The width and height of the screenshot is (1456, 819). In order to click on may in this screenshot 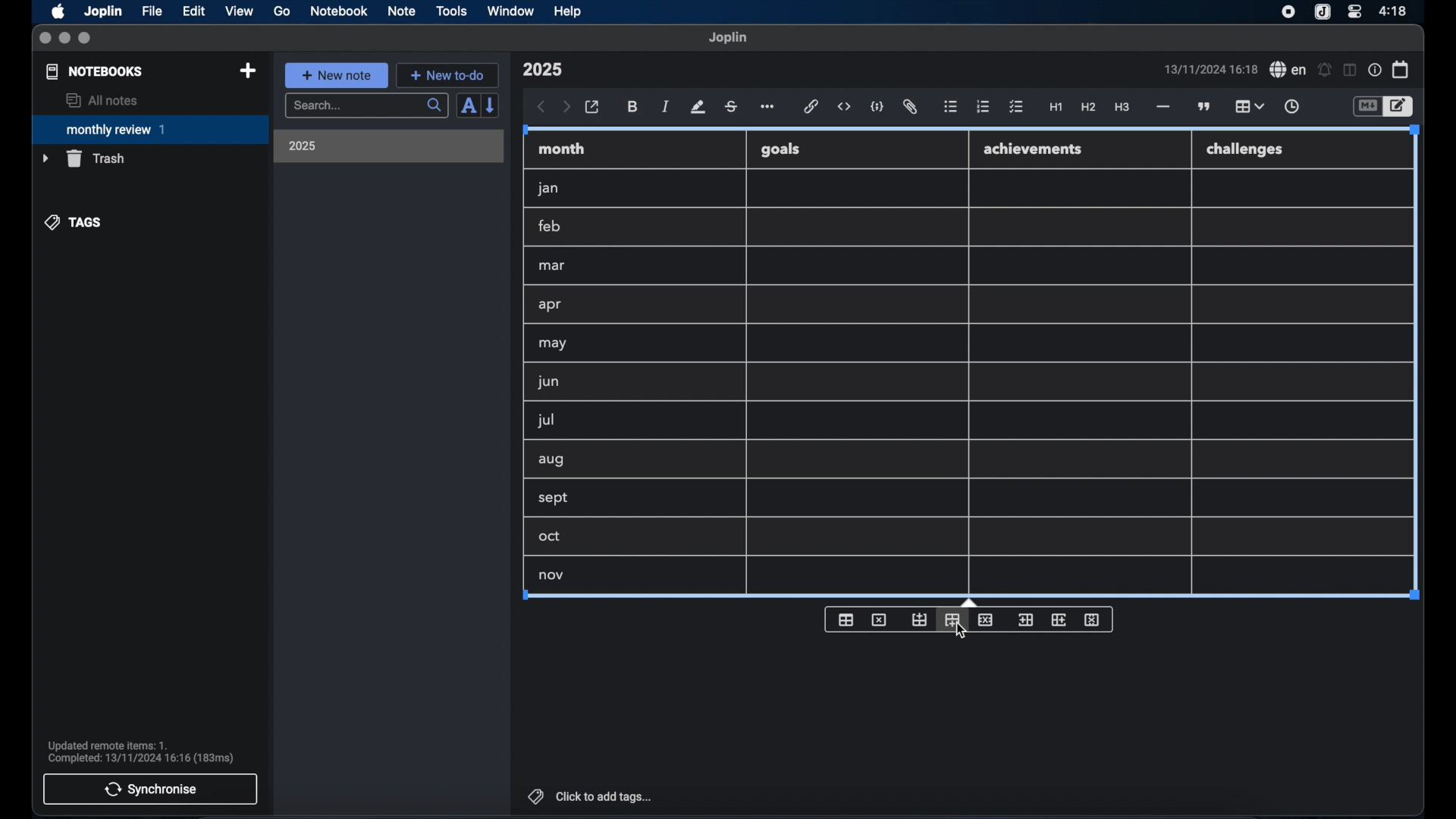, I will do `click(552, 344)`.